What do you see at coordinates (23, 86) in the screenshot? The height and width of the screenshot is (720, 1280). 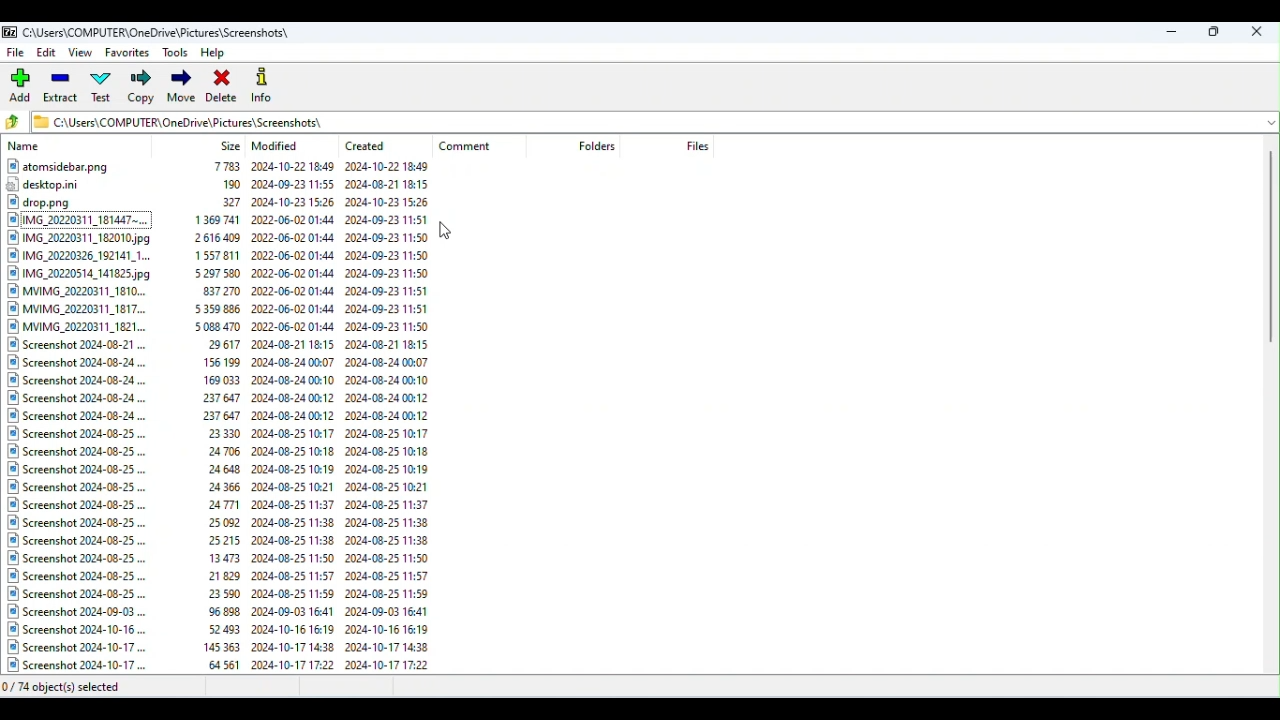 I see `Add` at bounding box center [23, 86].